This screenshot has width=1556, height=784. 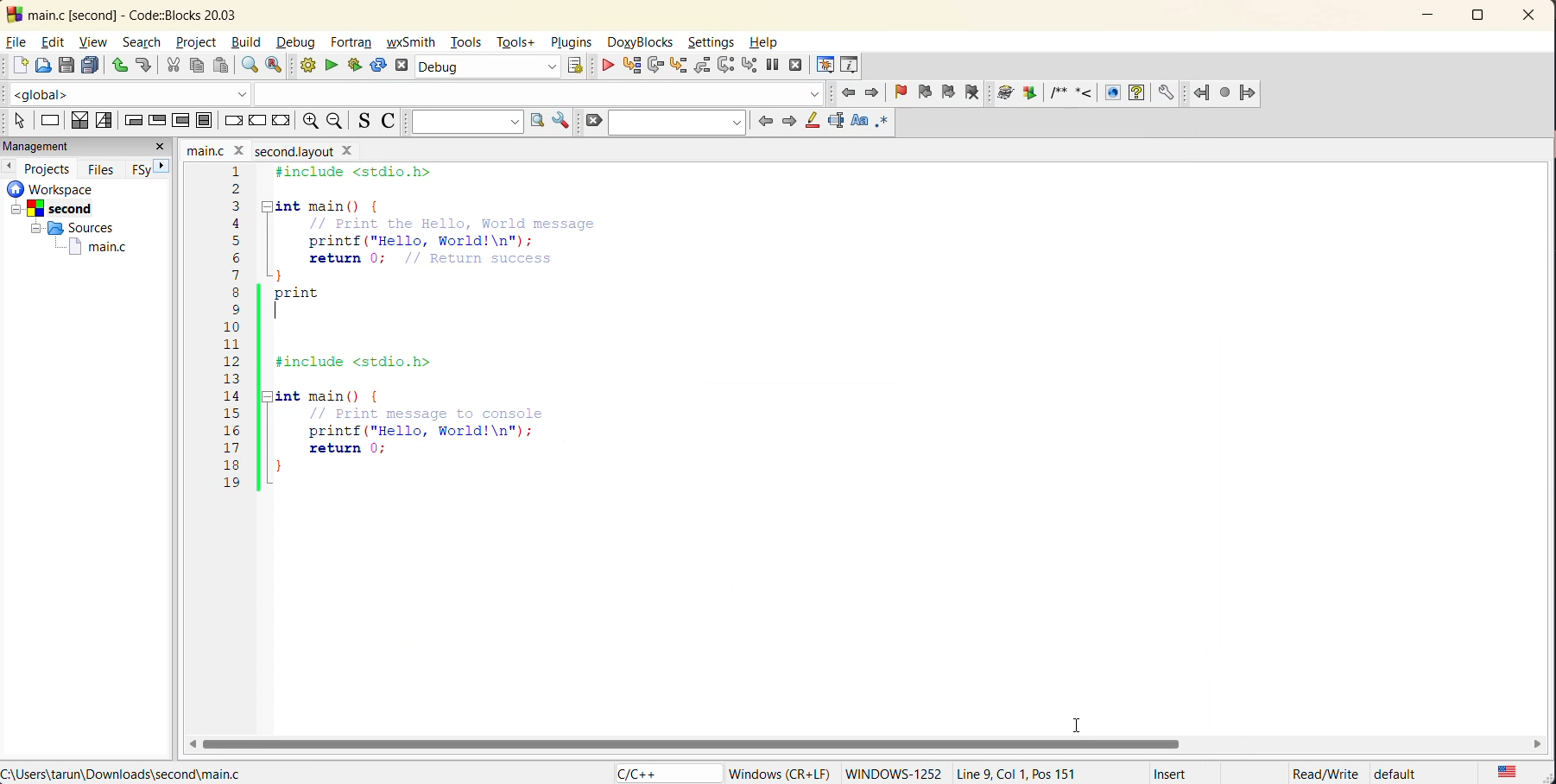 What do you see at coordinates (702, 66) in the screenshot?
I see `step out` at bounding box center [702, 66].